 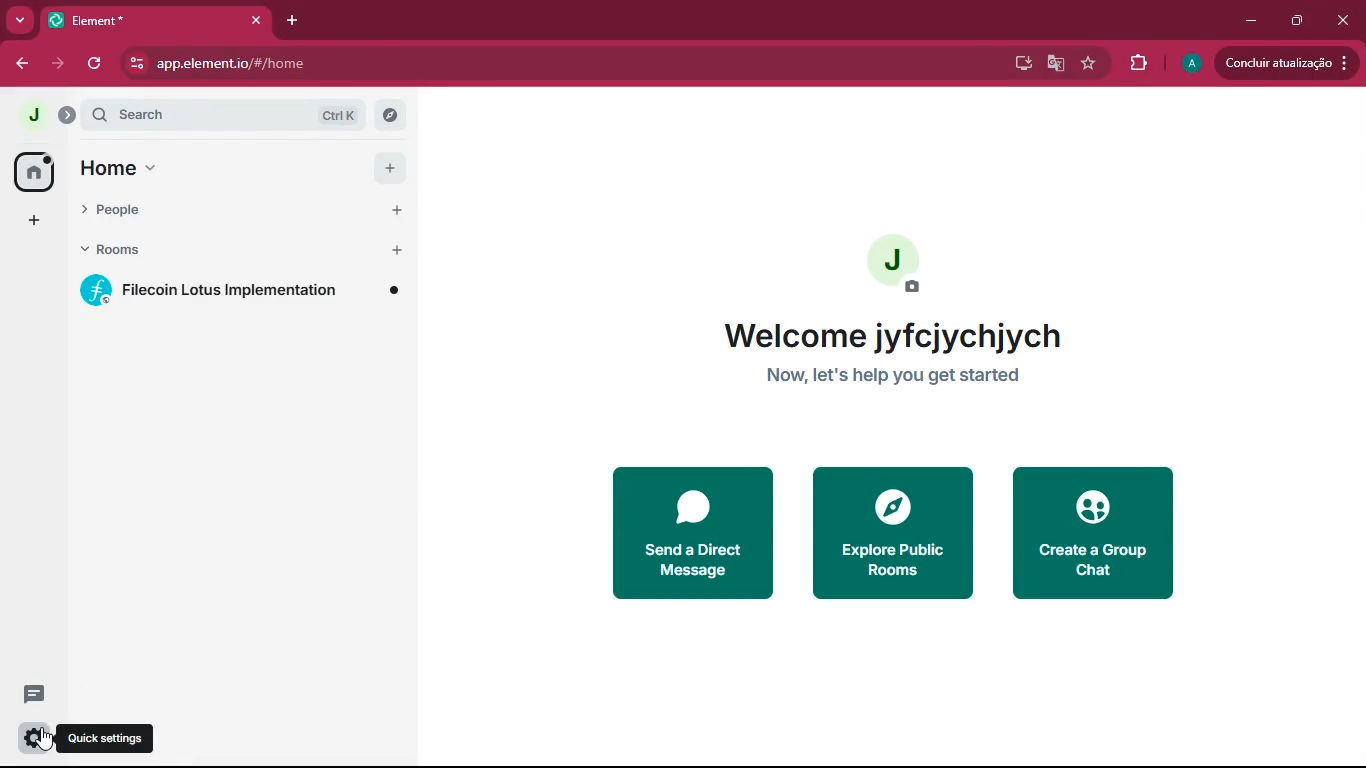 I want to click on Add , so click(x=393, y=211).